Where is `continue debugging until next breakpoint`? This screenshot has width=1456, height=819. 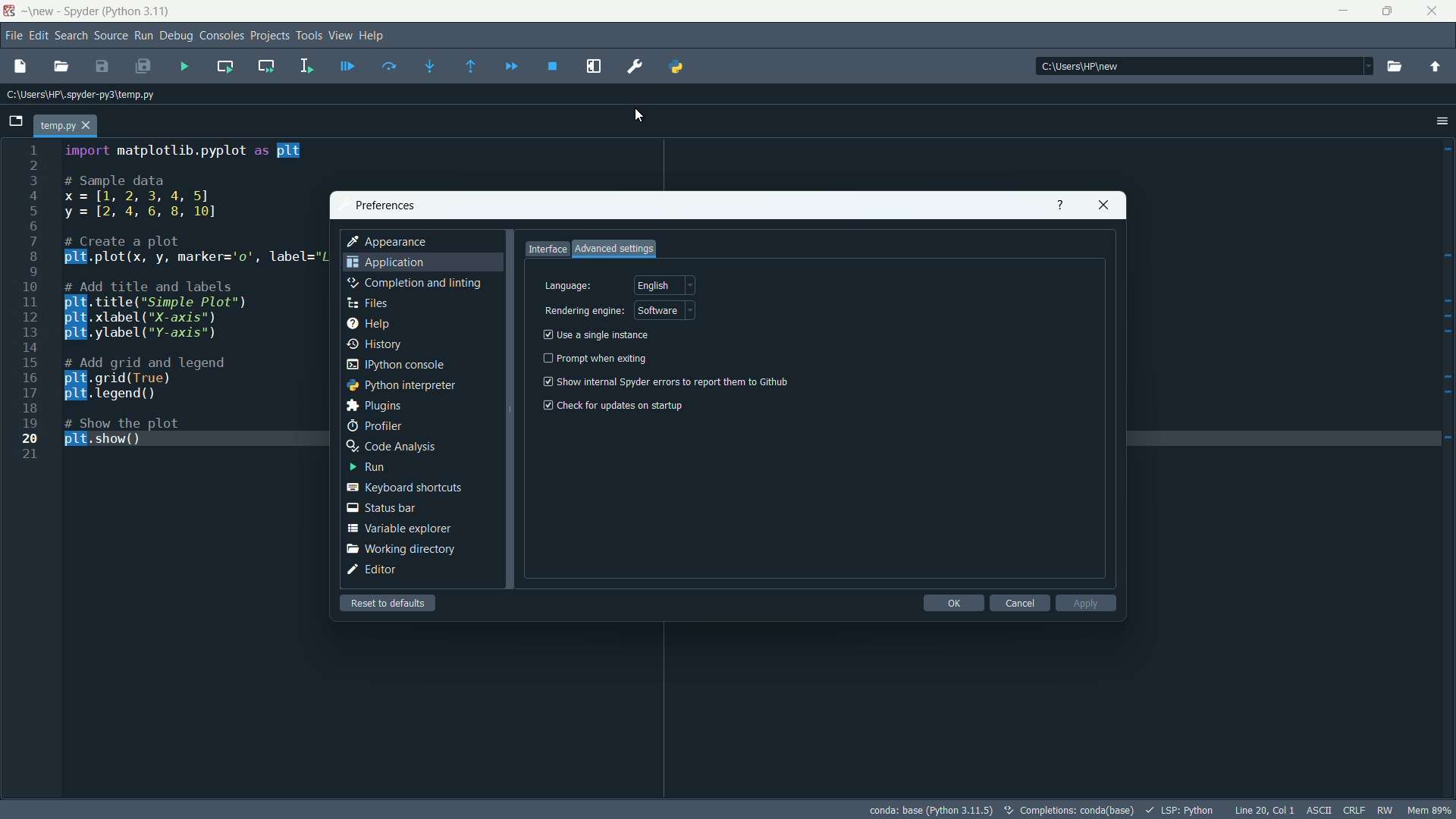 continue debugging until next breakpoint is located at coordinates (510, 67).